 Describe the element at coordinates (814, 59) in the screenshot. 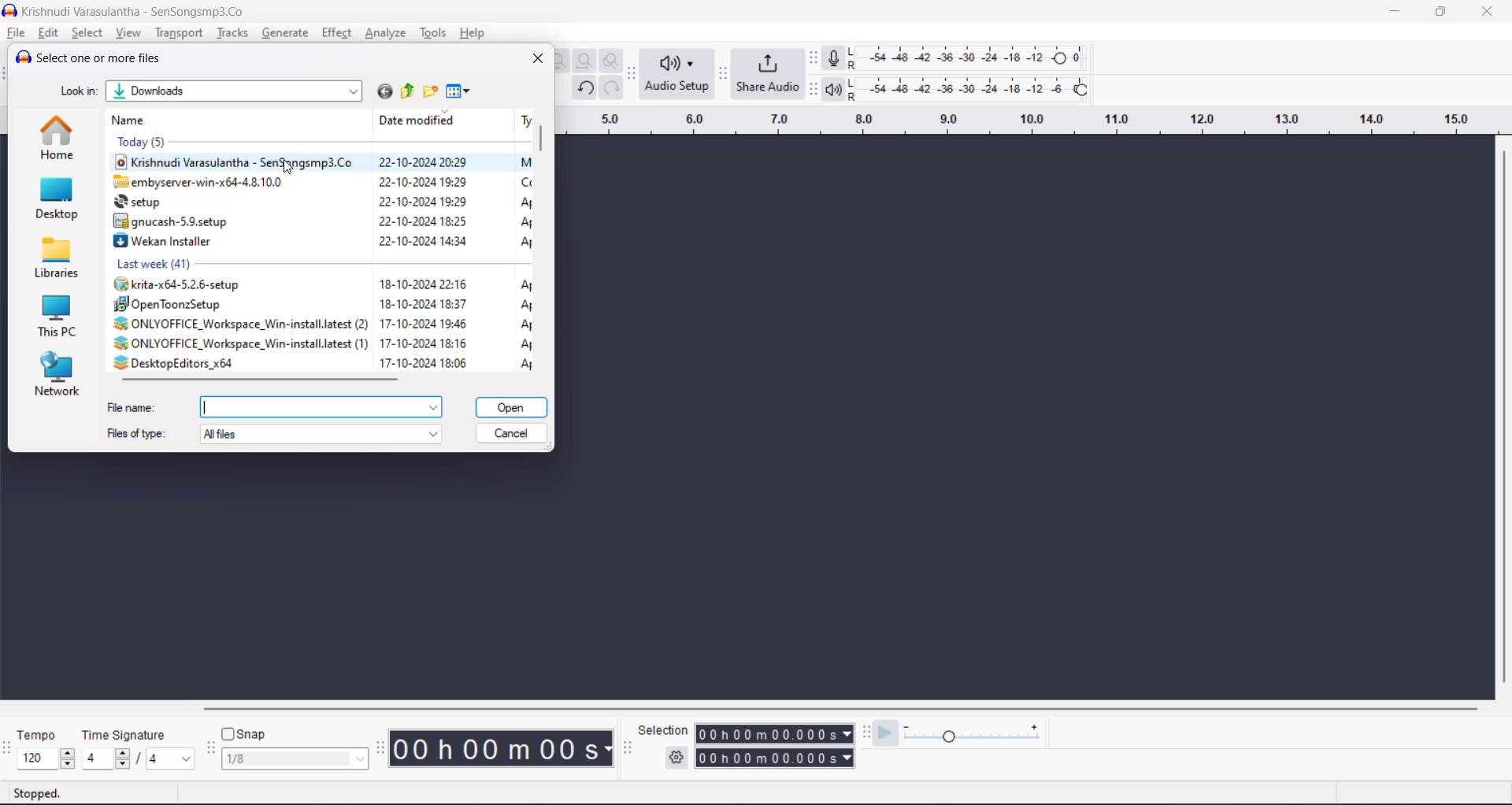

I see `recording meter tool bar` at that location.